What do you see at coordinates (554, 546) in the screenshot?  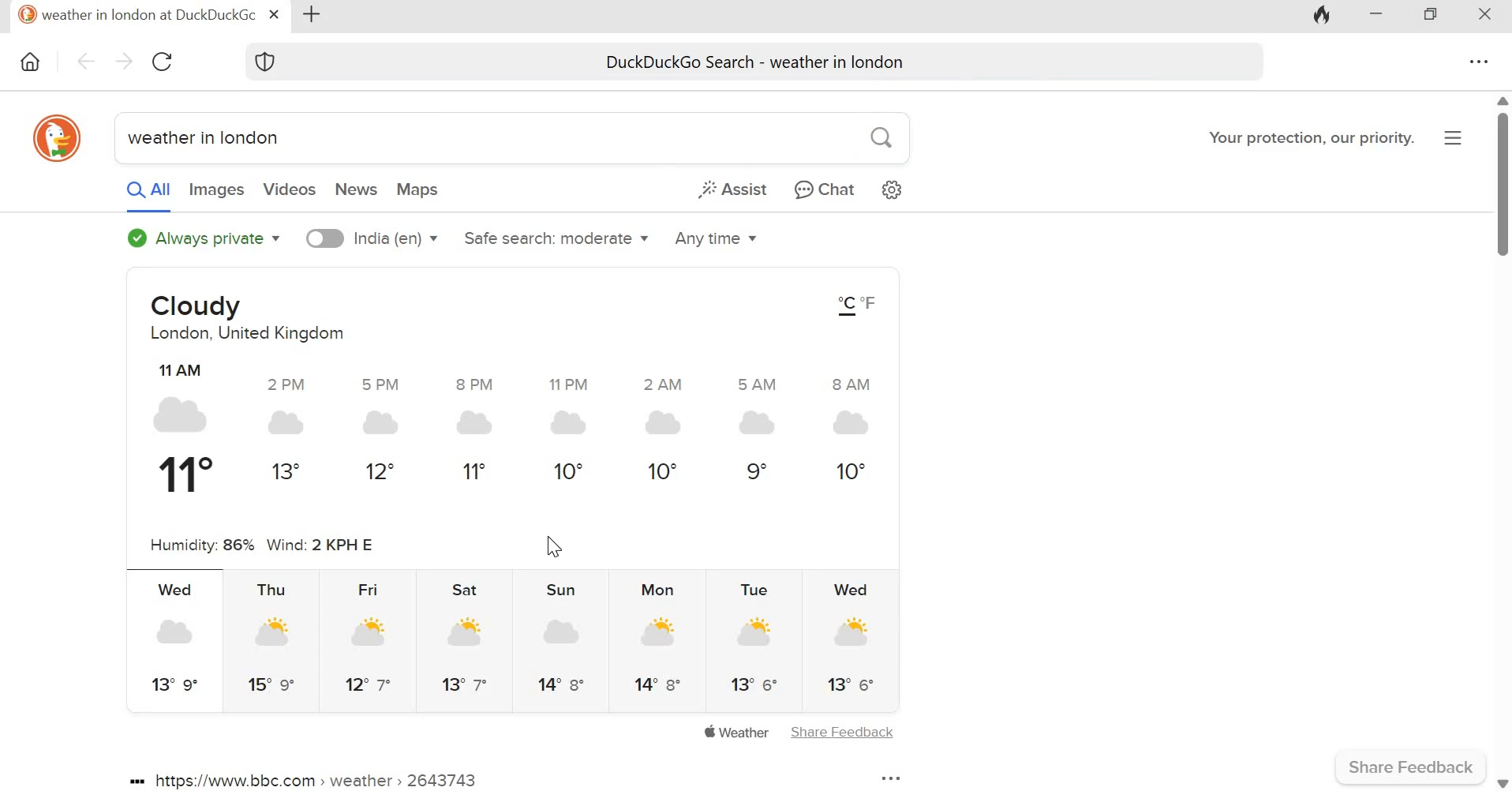 I see `Cursor` at bounding box center [554, 546].